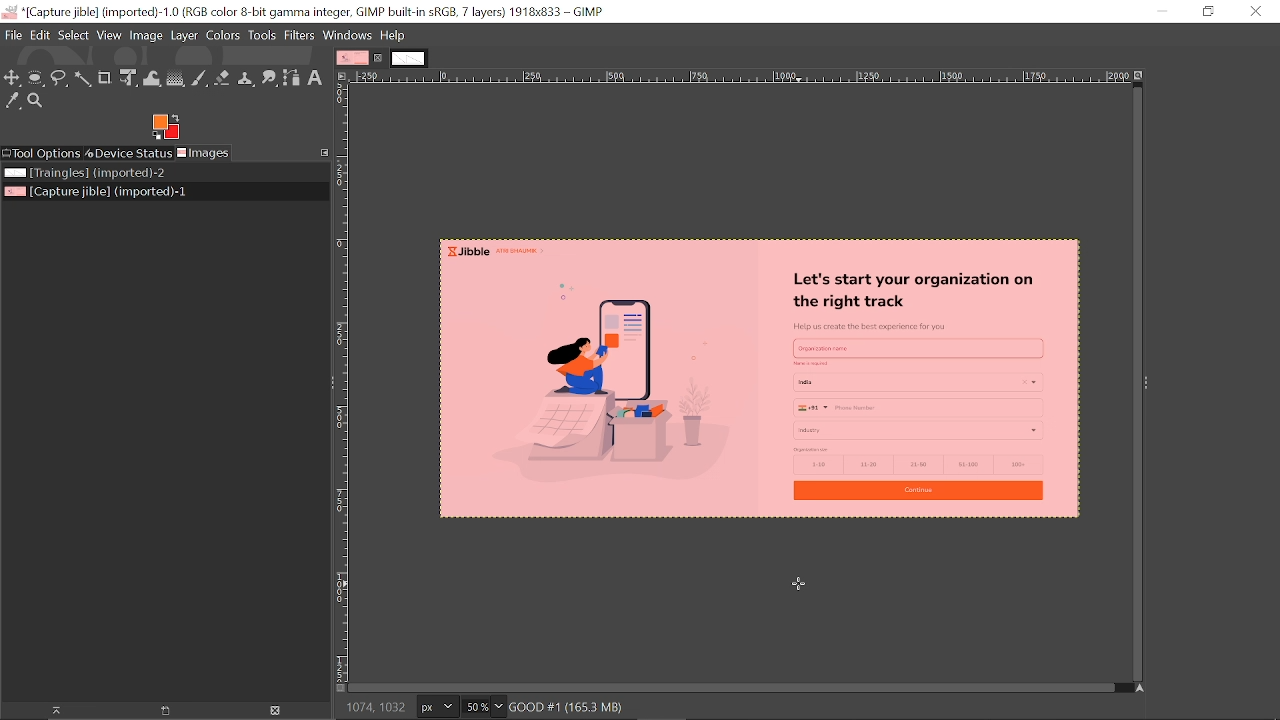 The image size is (1280, 720). Describe the element at coordinates (1209, 12) in the screenshot. I see `Restore down` at that location.